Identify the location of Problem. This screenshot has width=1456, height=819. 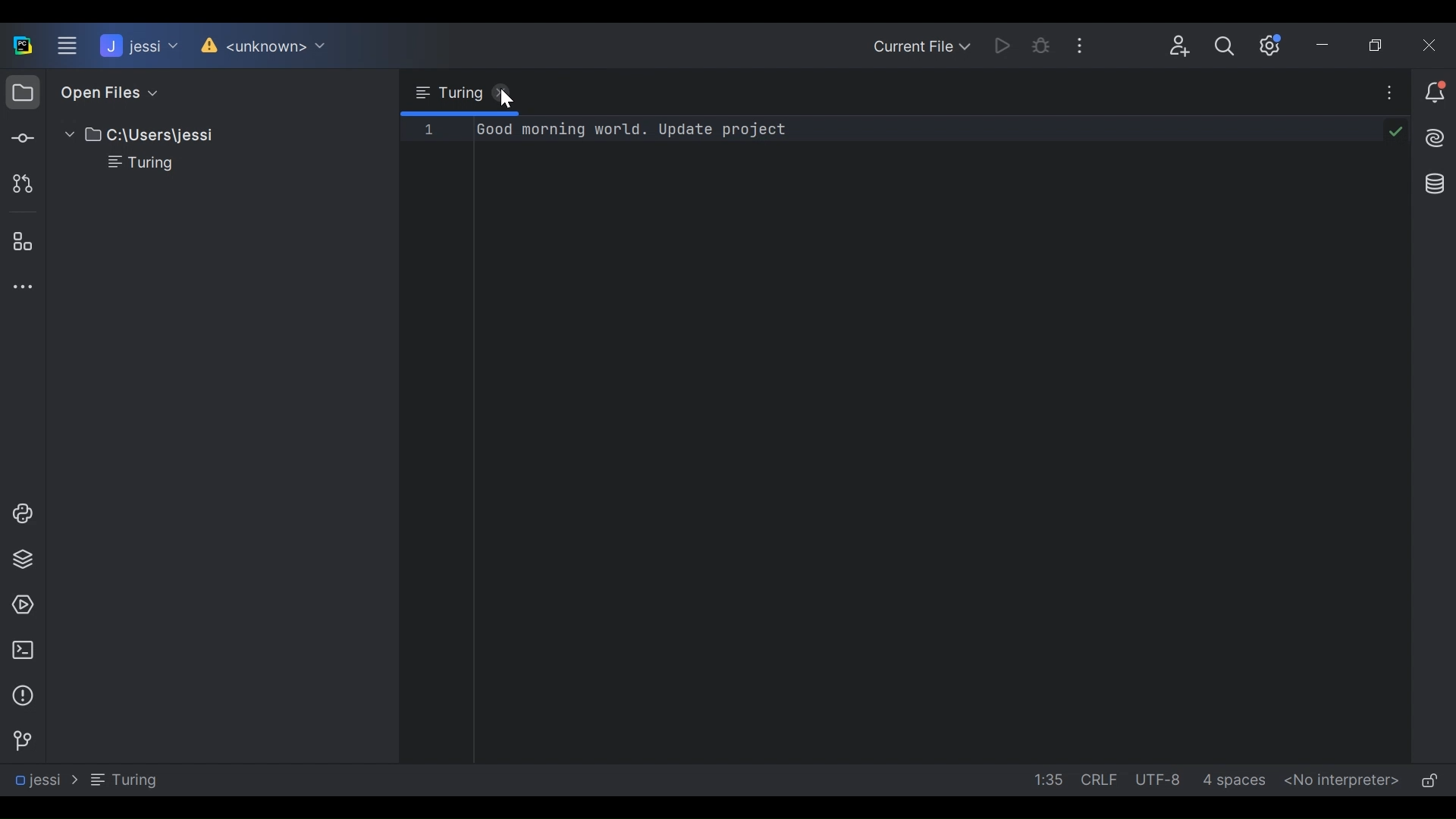
(21, 695).